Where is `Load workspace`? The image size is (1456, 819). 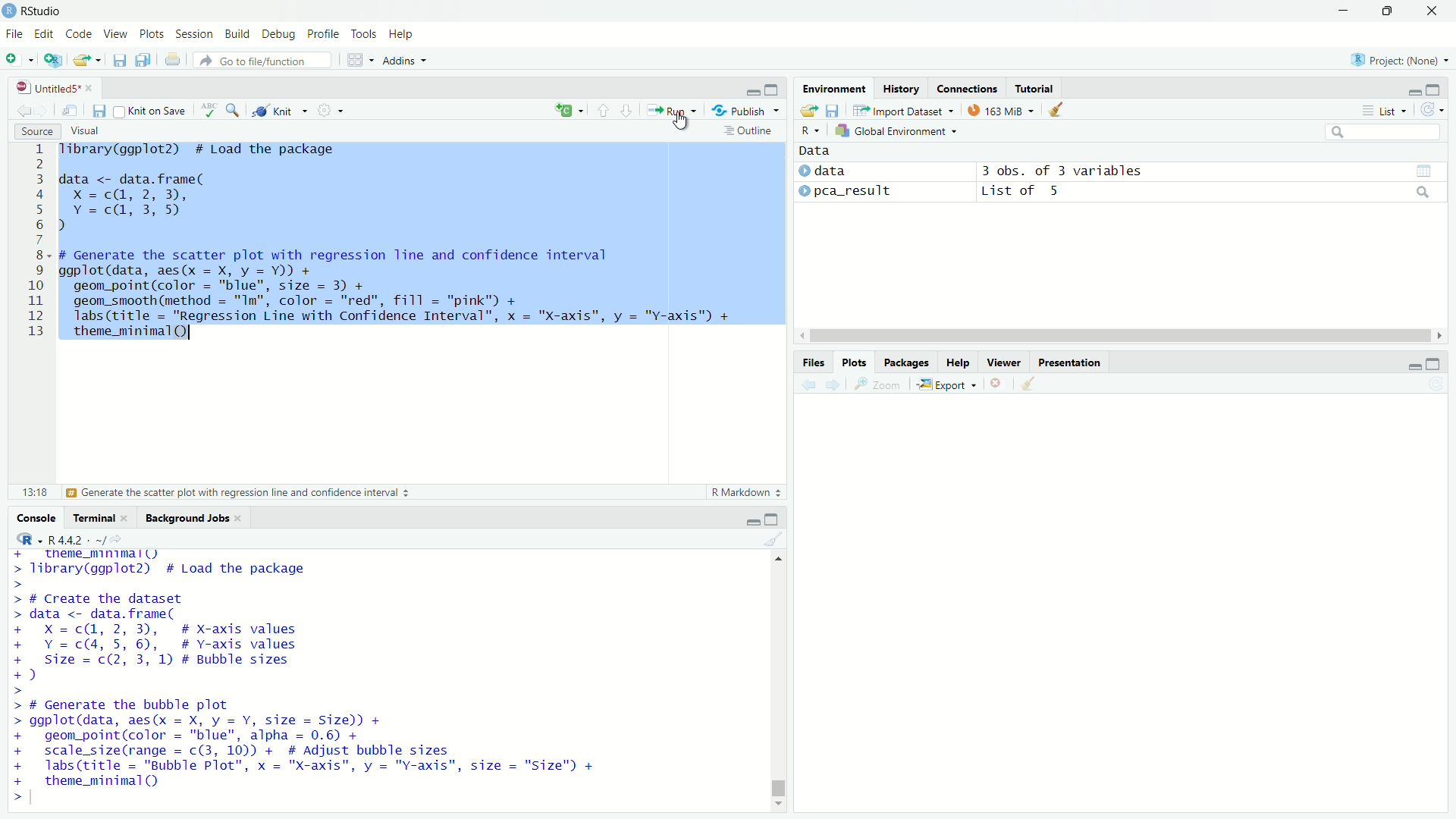 Load workspace is located at coordinates (808, 109).